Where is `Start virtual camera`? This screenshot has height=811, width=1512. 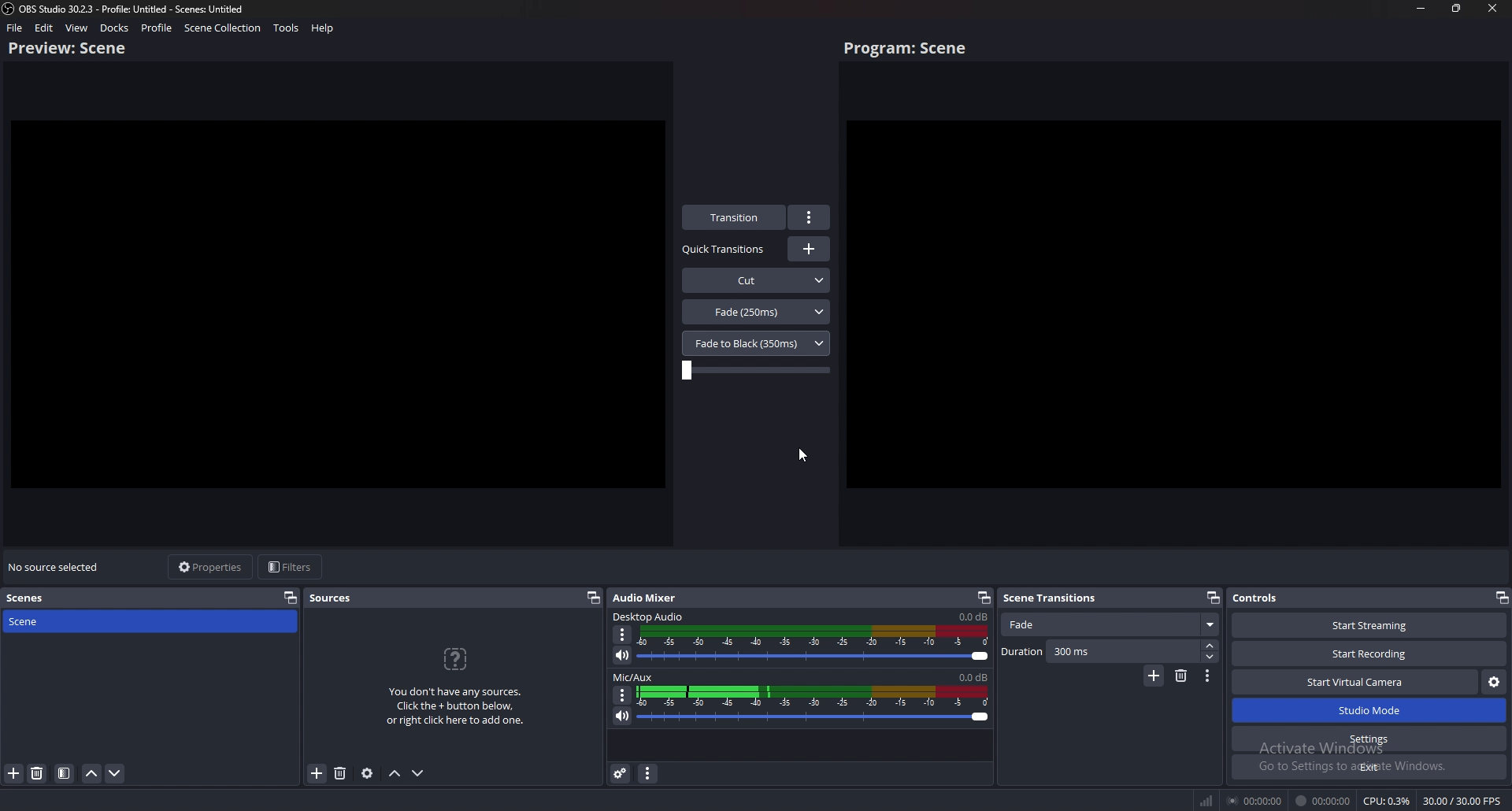
Start virtual camera is located at coordinates (1355, 682).